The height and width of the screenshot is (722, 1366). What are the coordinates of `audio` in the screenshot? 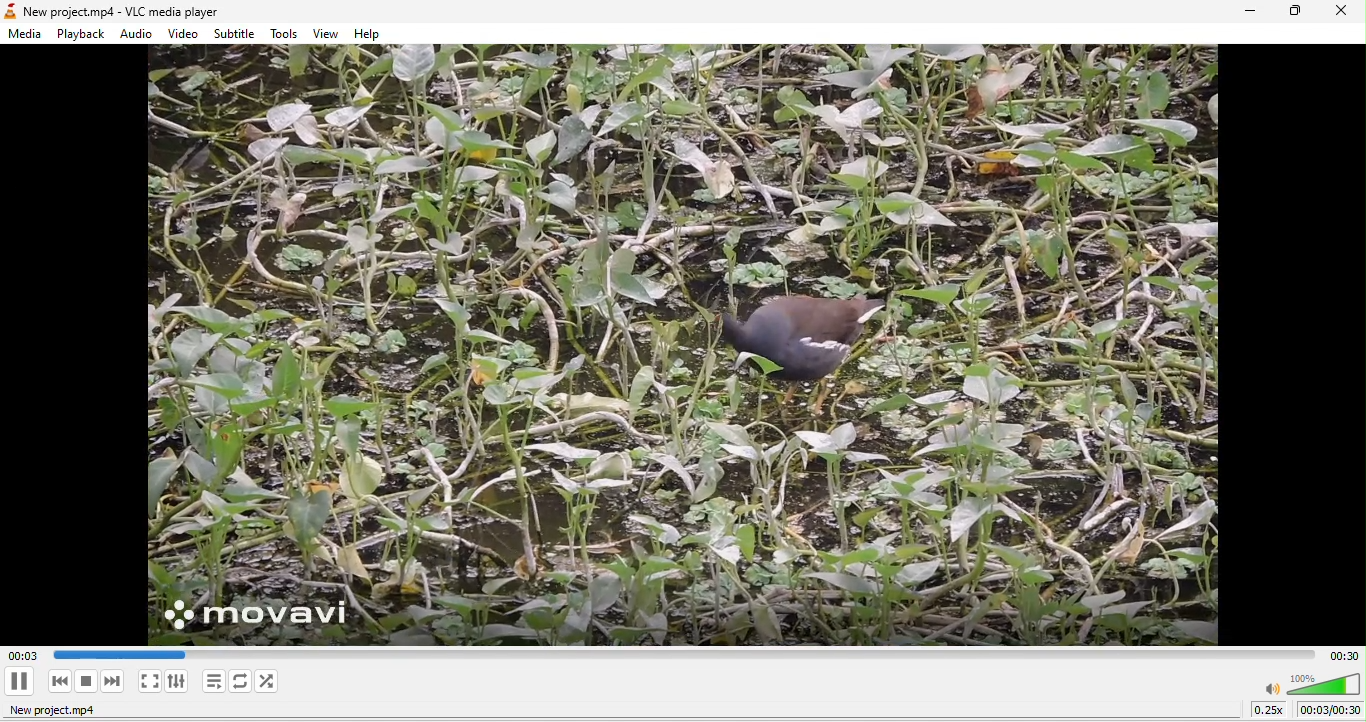 It's located at (138, 34).